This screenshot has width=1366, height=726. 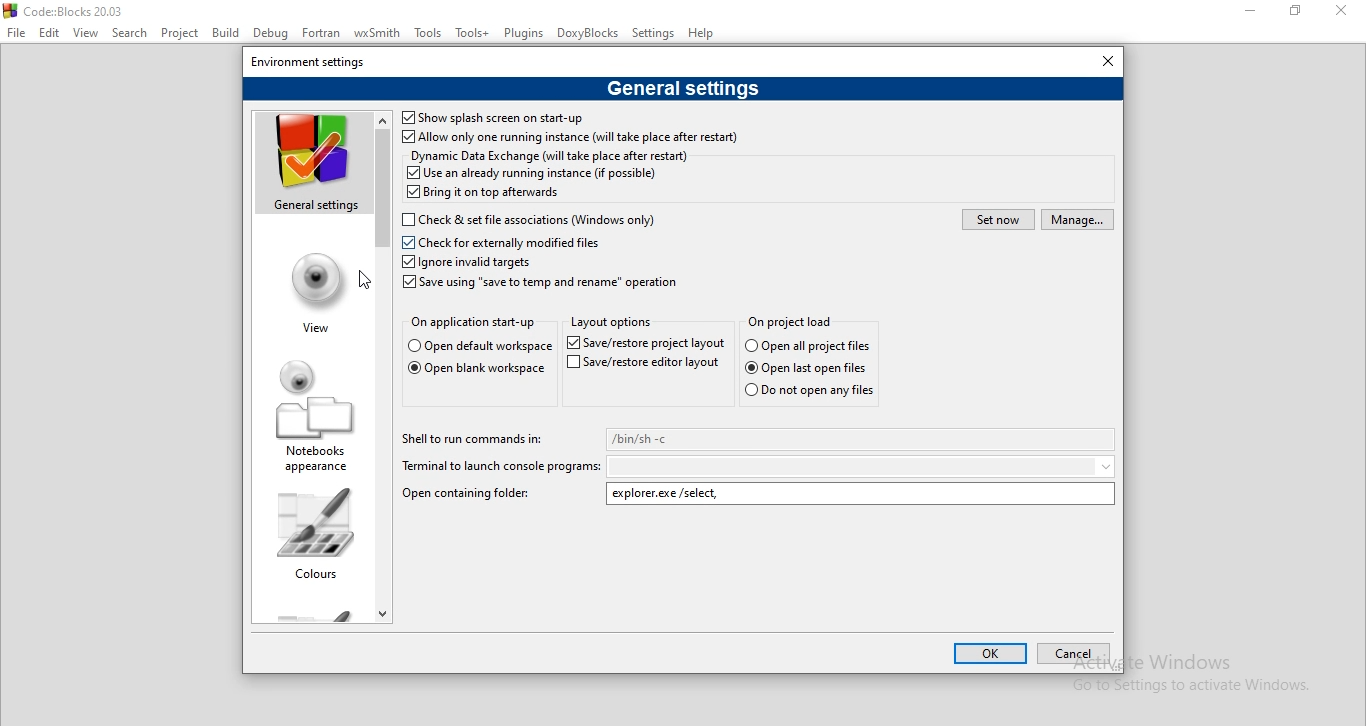 I want to click on restore, so click(x=1301, y=13).